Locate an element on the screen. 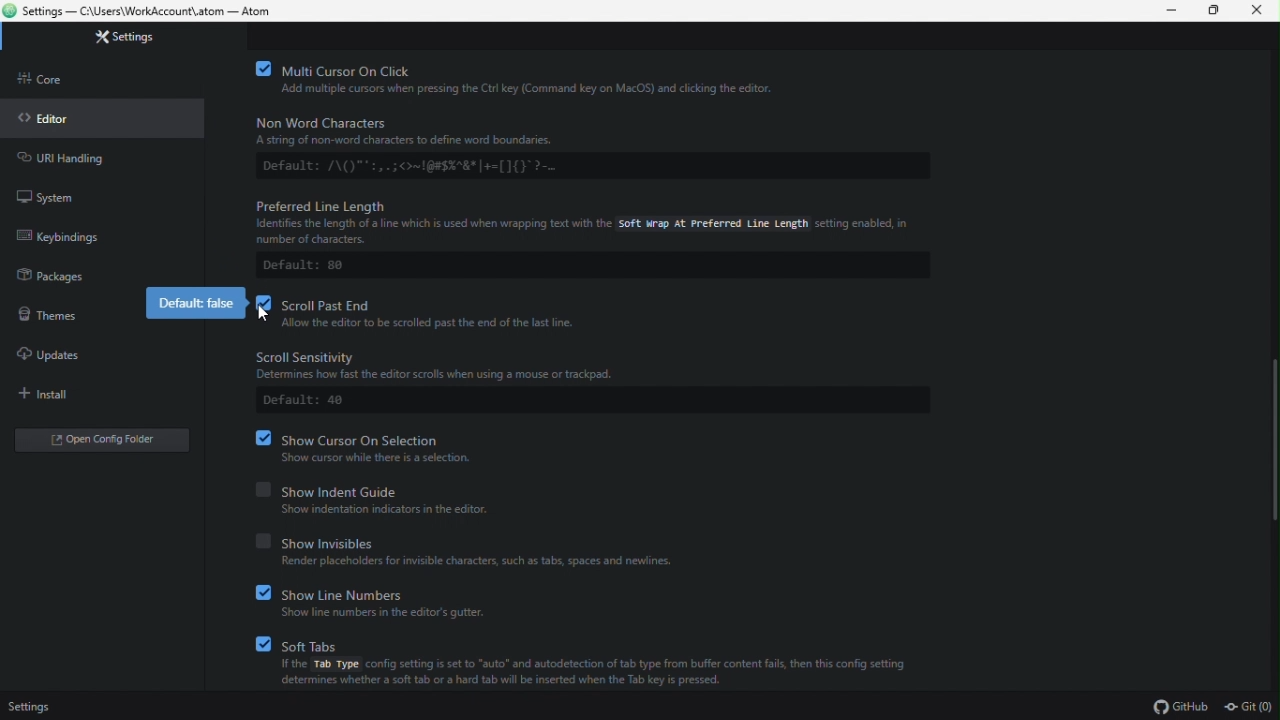 This screenshot has height=720, width=1280. Show indent guide is located at coordinates (418, 488).